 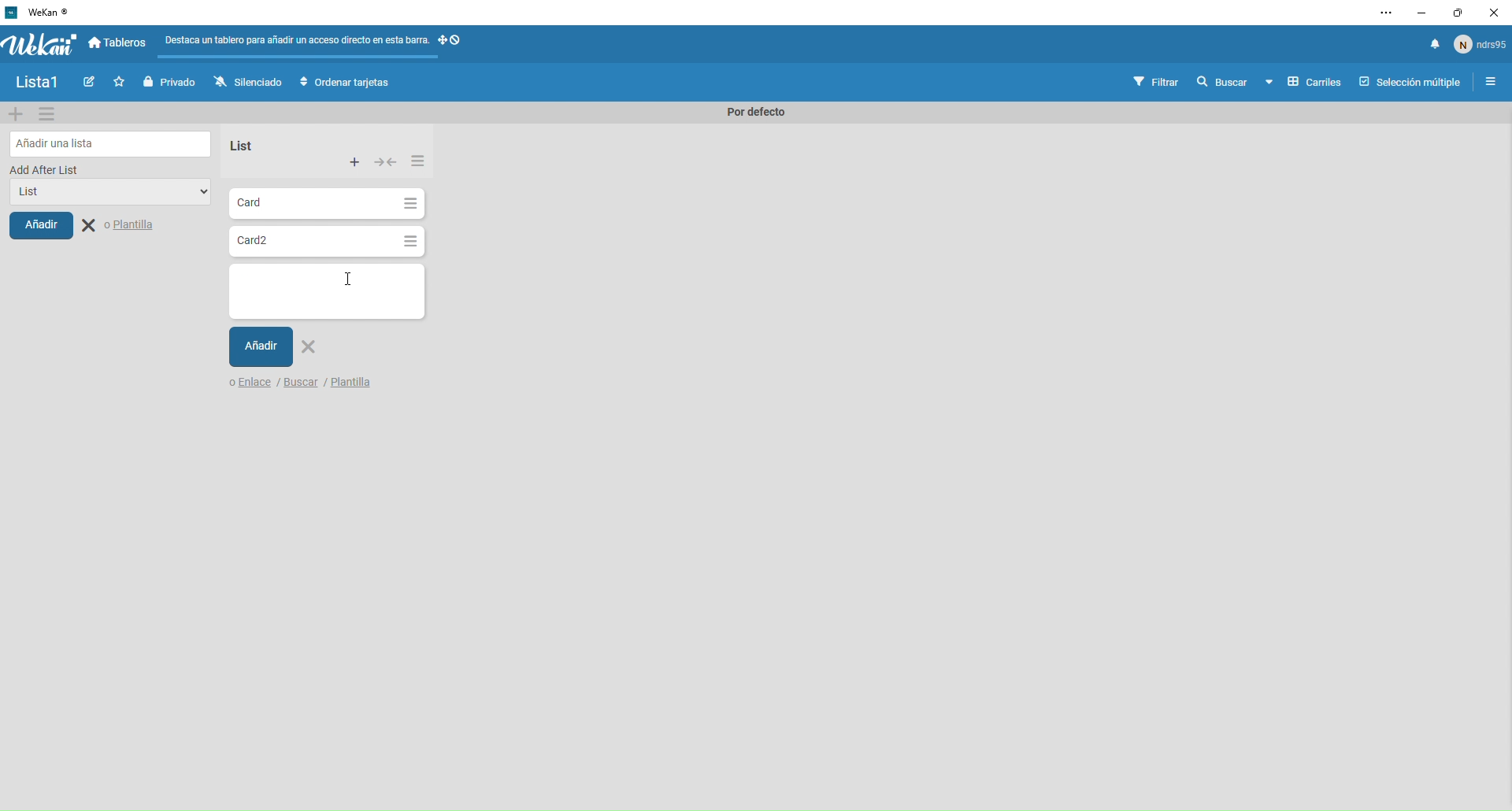 I want to click on close, so click(x=1492, y=14).